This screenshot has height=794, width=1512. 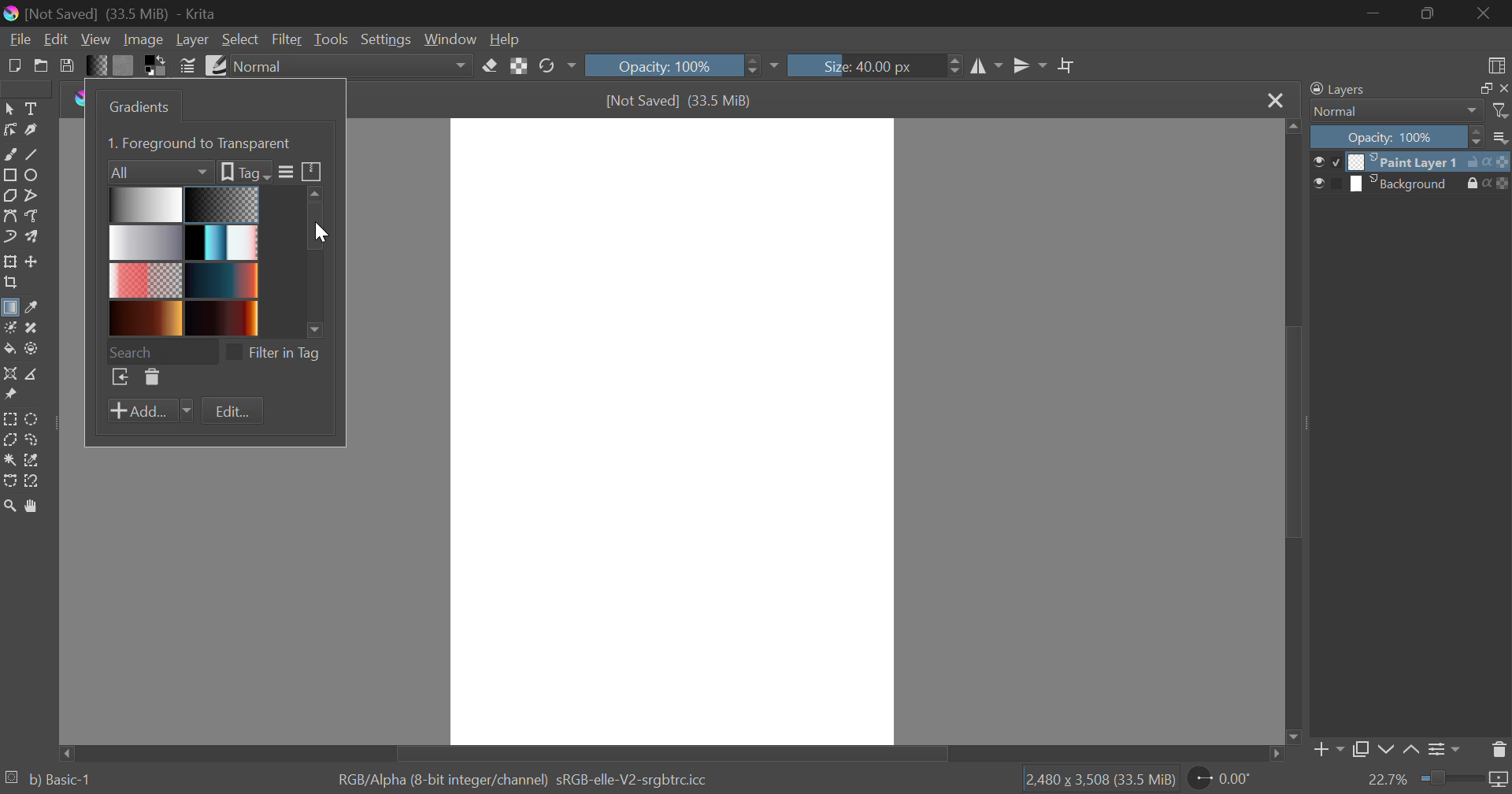 What do you see at coordinates (876, 64) in the screenshot?
I see `Size: 40.00 px` at bounding box center [876, 64].